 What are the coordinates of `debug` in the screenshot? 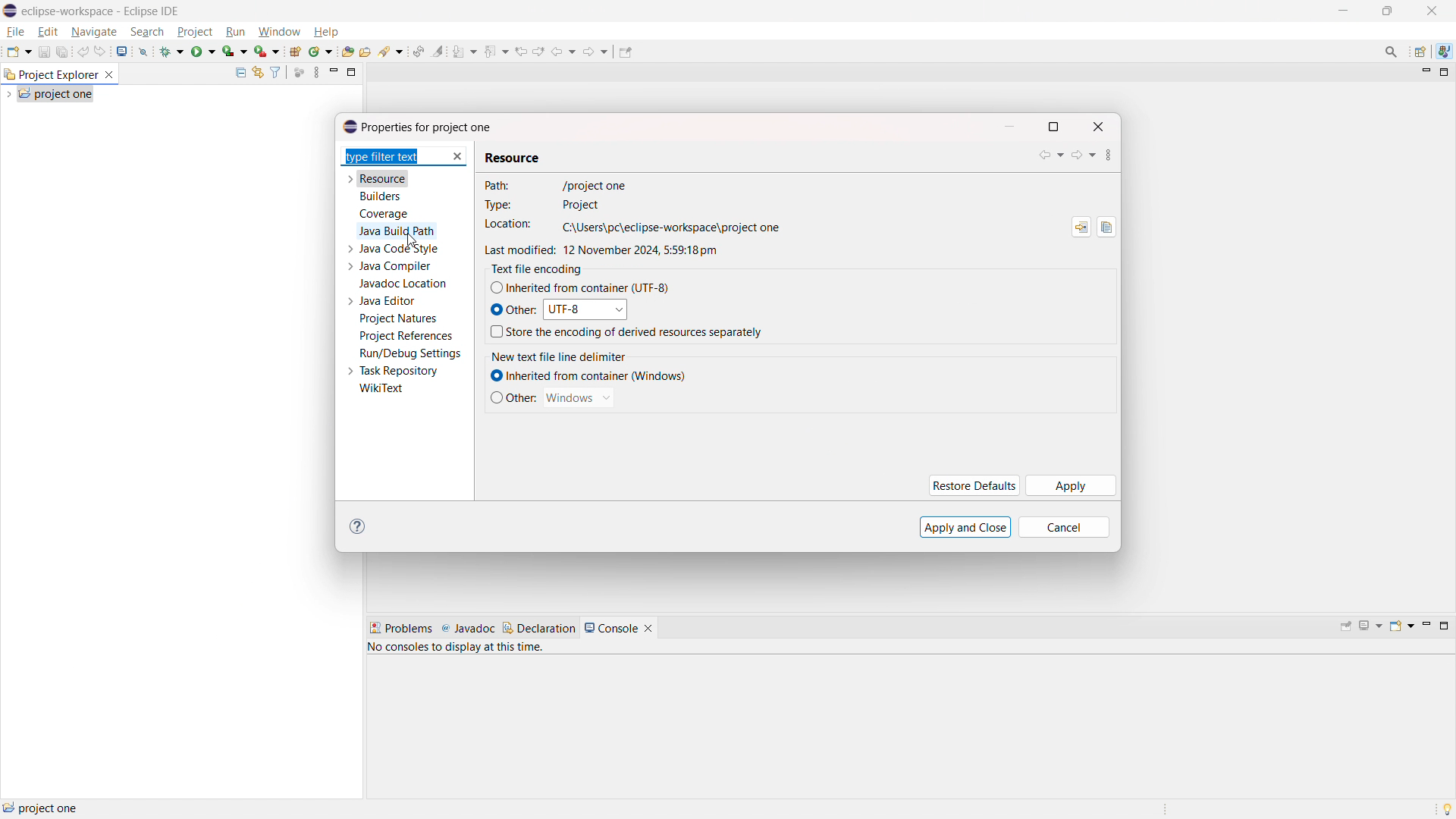 It's located at (172, 50).